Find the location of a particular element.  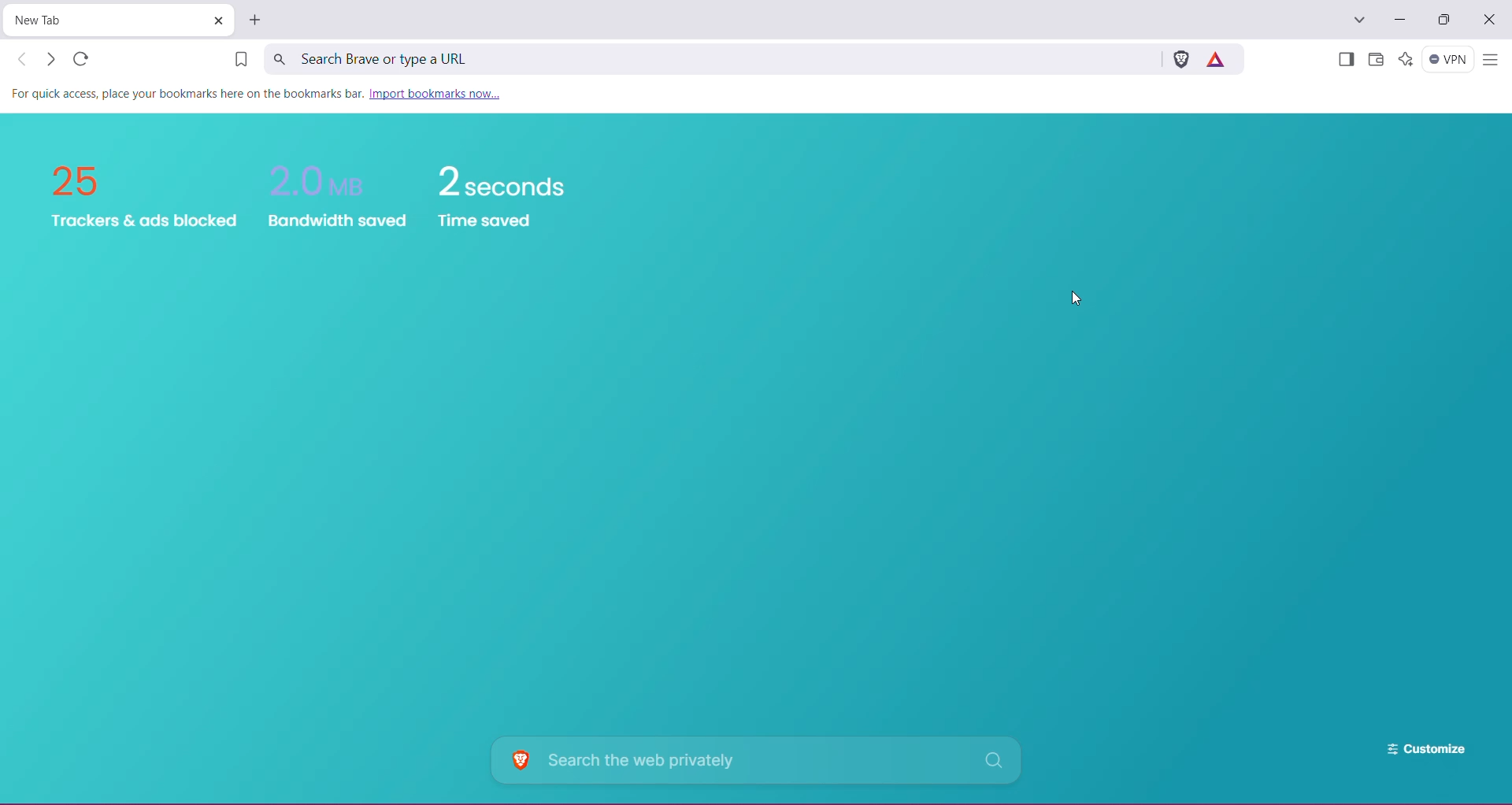

Earn tokens for private Ads you see in Brave is located at coordinates (1219, 58).